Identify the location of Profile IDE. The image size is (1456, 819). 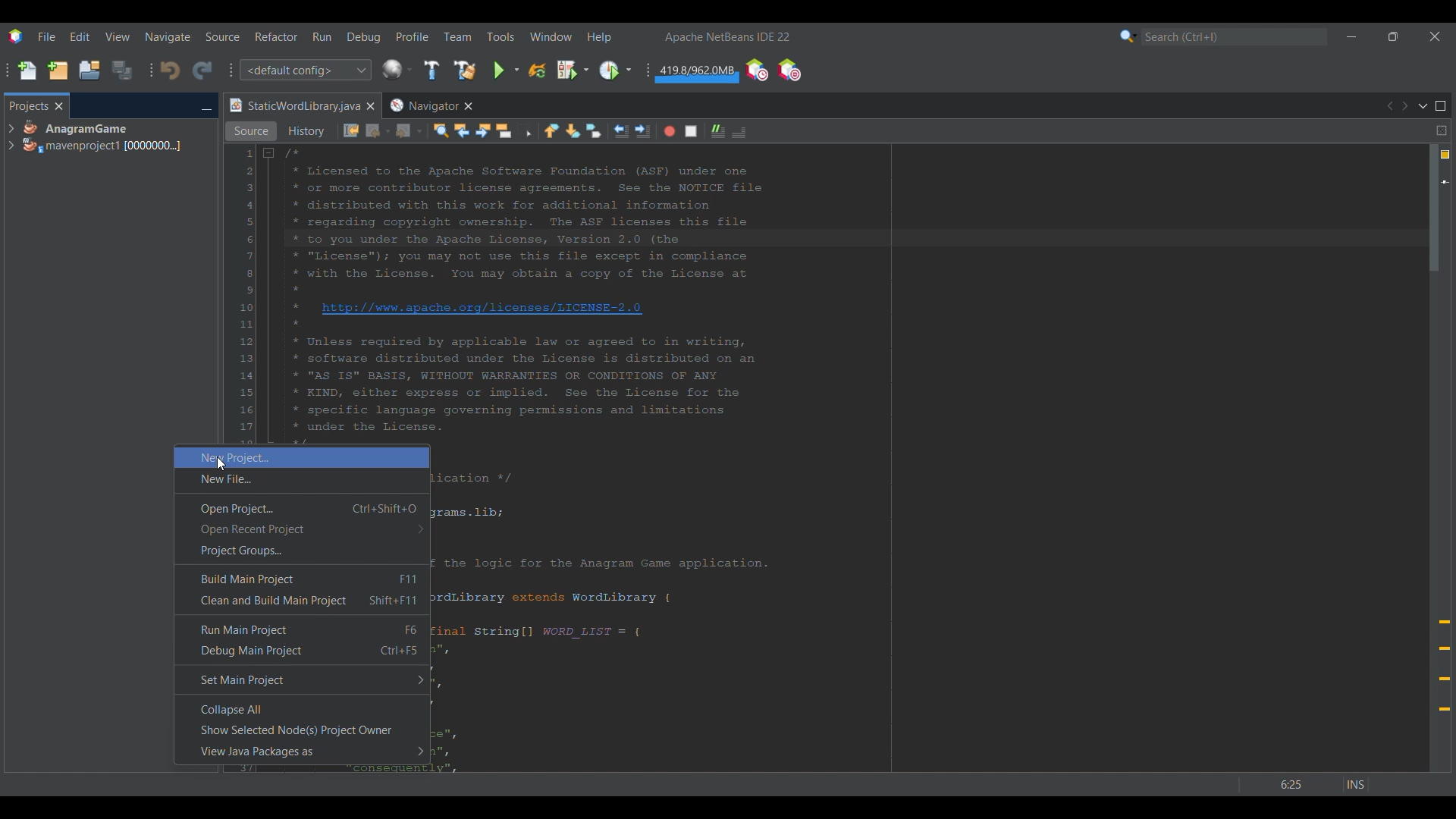
(756, 71).